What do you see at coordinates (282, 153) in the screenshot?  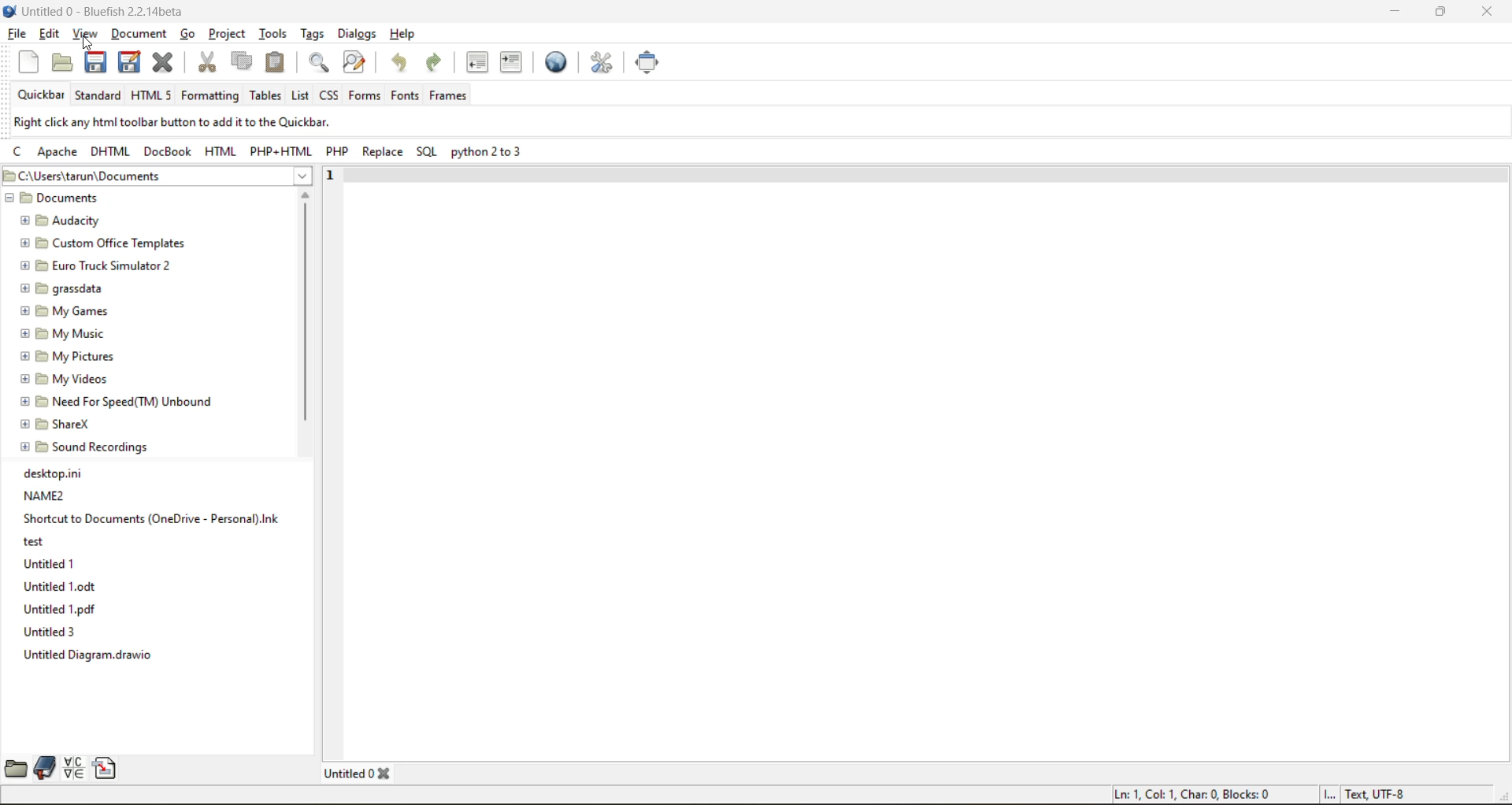 I see `php html` at bounding box center [282, 153].